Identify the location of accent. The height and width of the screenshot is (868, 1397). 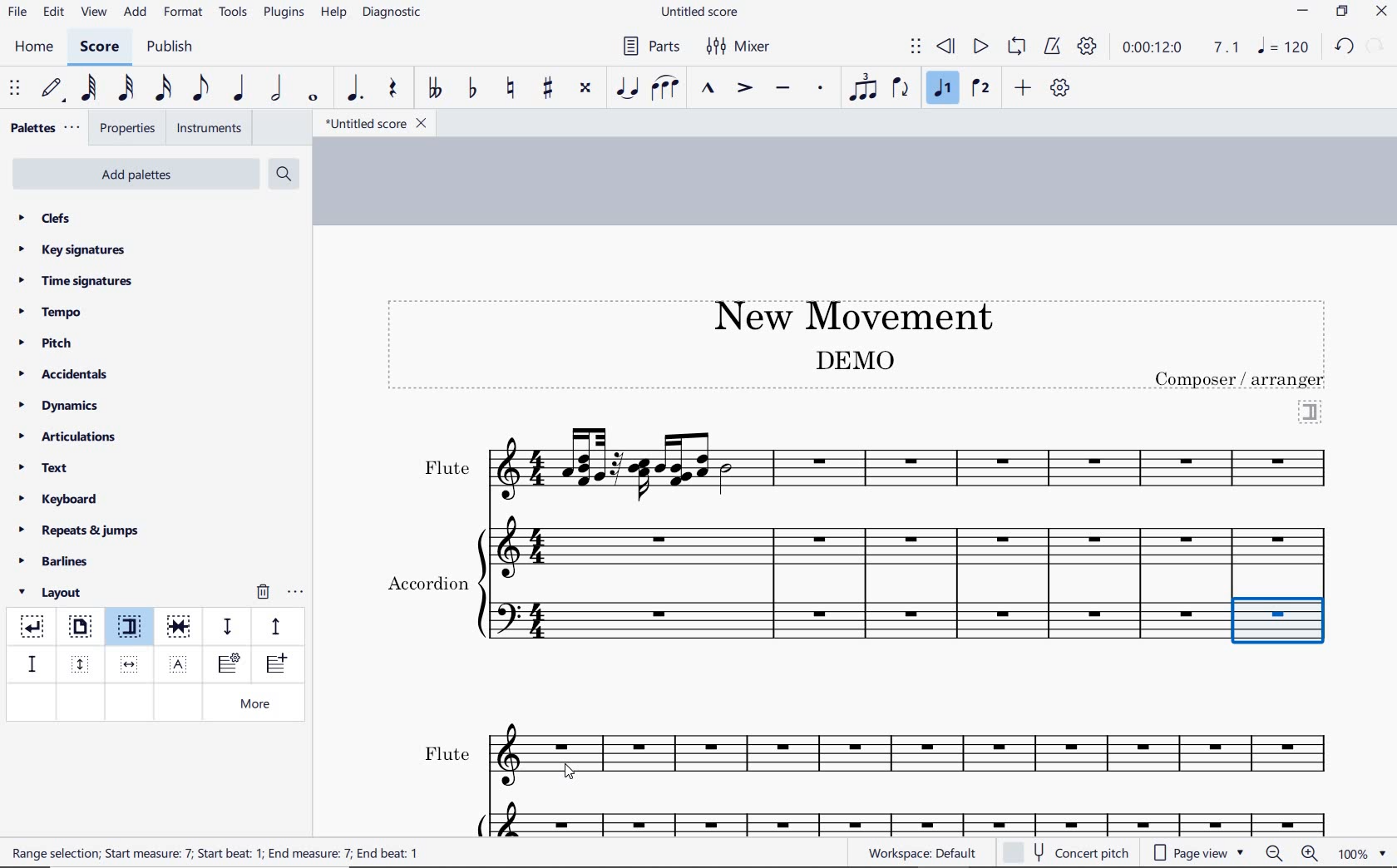
(744, 88).